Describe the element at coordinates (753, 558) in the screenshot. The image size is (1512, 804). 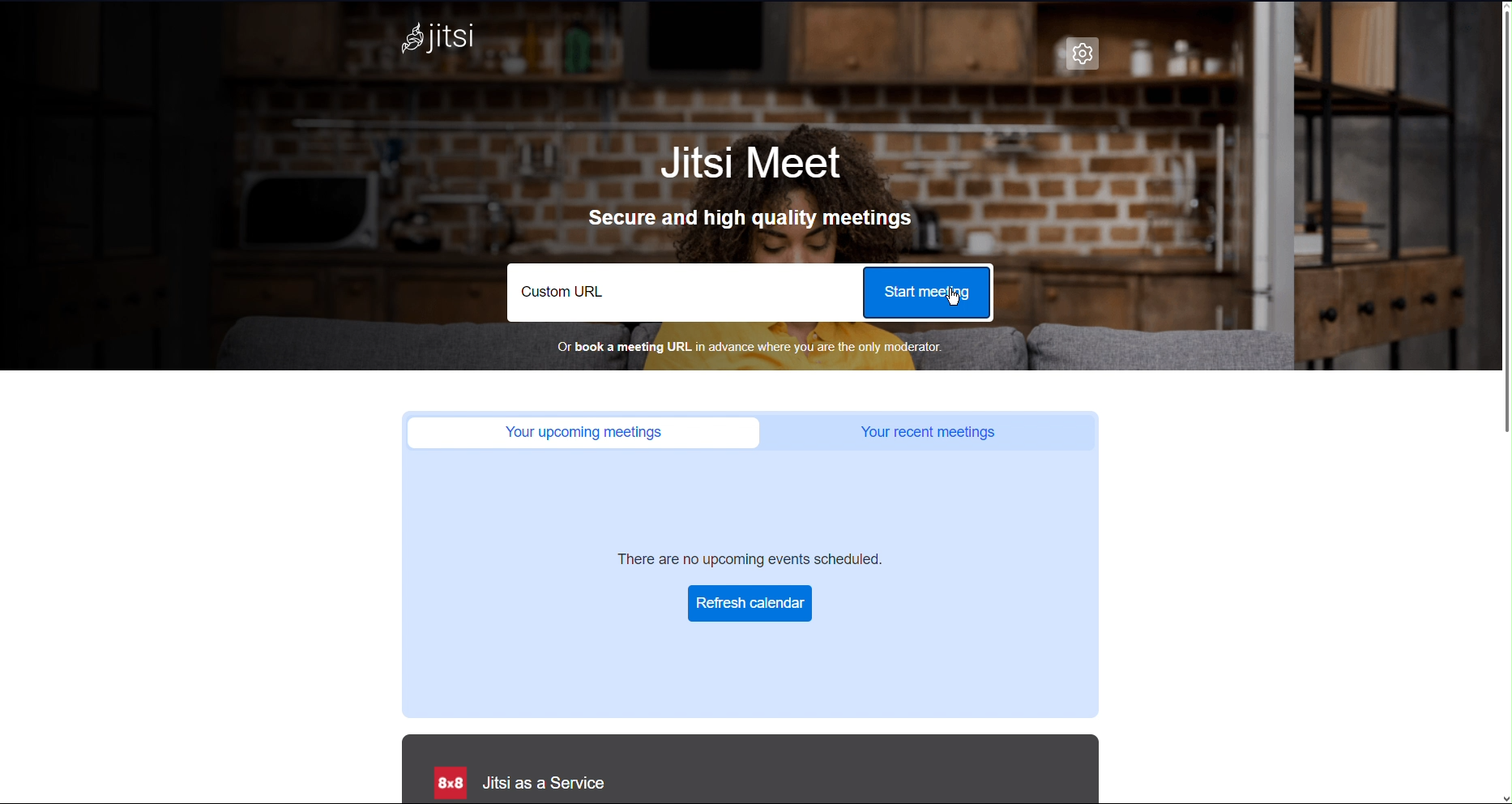
I see `There are no upcoming events scheduled` at that location.